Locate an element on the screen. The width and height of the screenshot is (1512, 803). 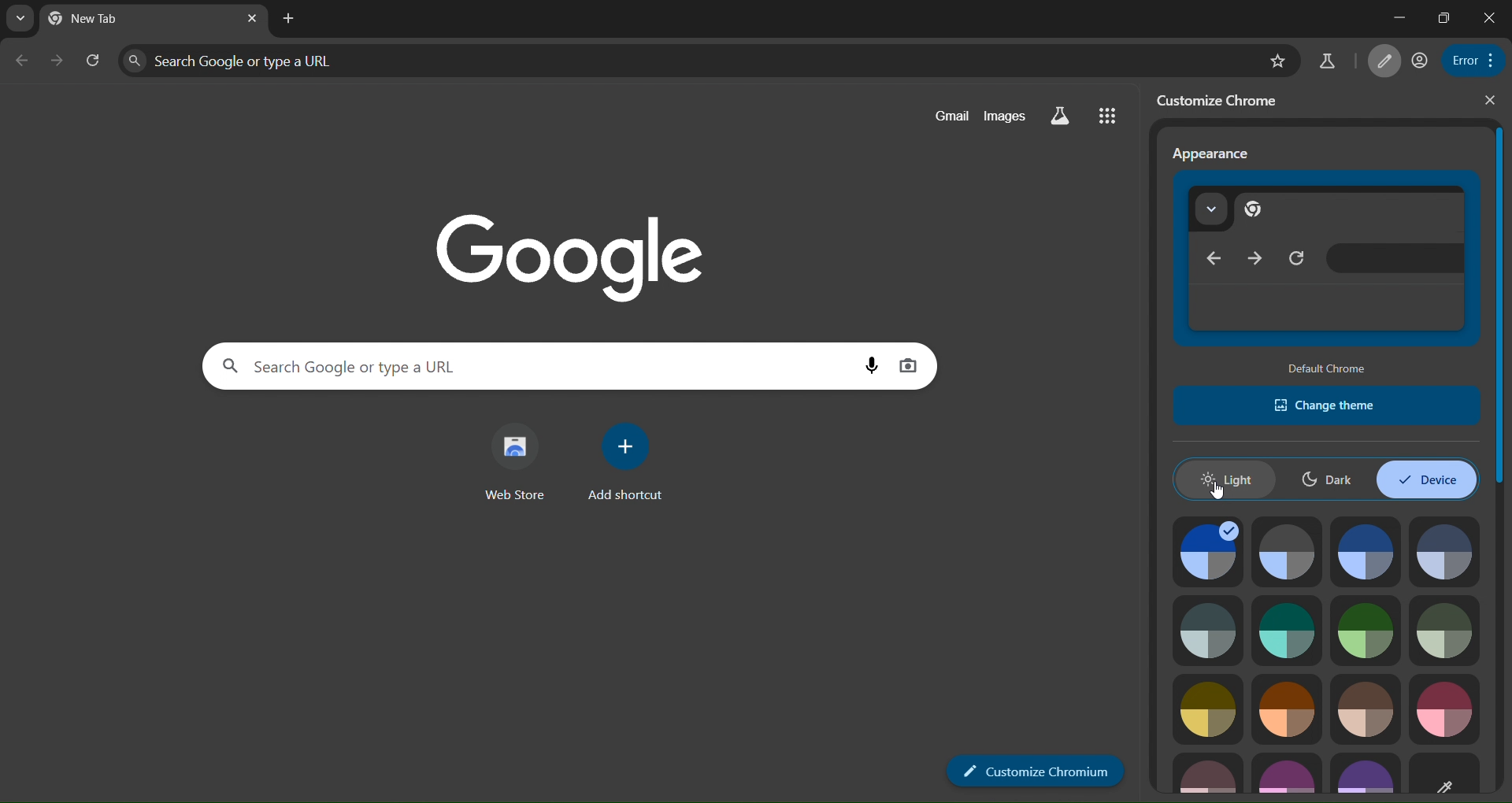
search google or type a URL is located at coordinates (538, 367).